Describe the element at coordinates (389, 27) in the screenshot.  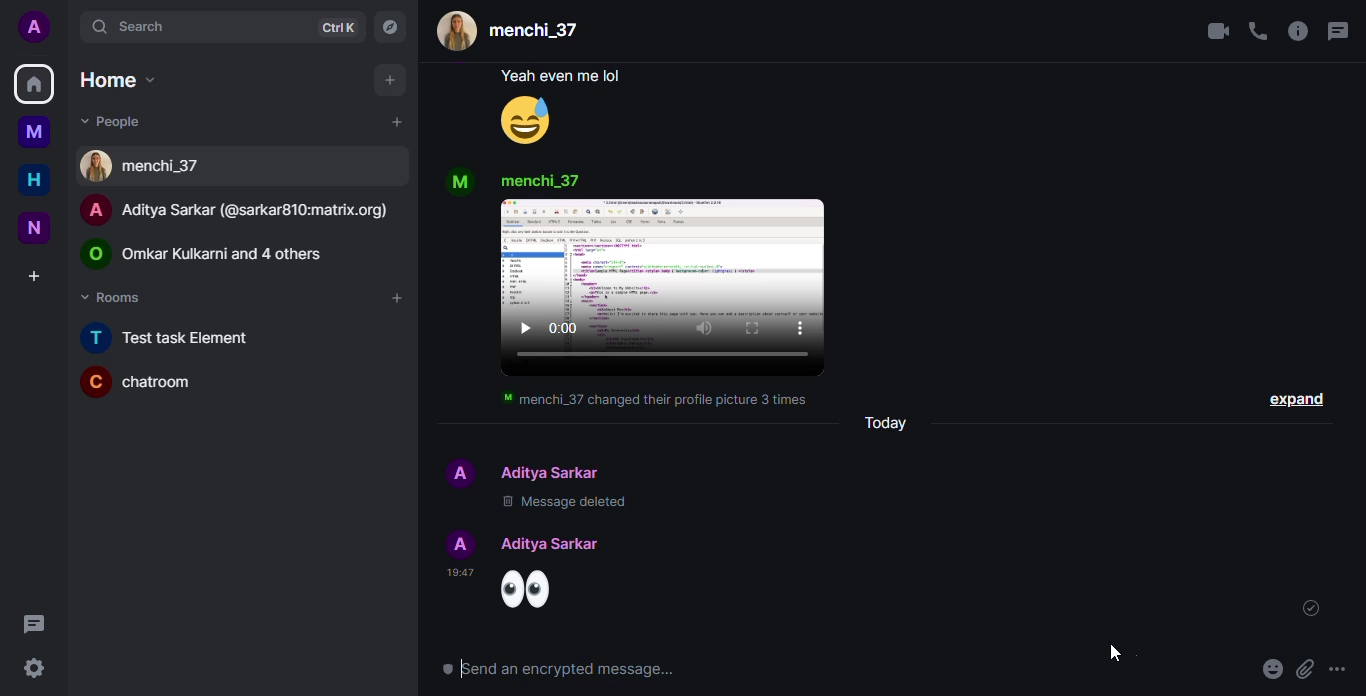
I see `navigator` at that location.